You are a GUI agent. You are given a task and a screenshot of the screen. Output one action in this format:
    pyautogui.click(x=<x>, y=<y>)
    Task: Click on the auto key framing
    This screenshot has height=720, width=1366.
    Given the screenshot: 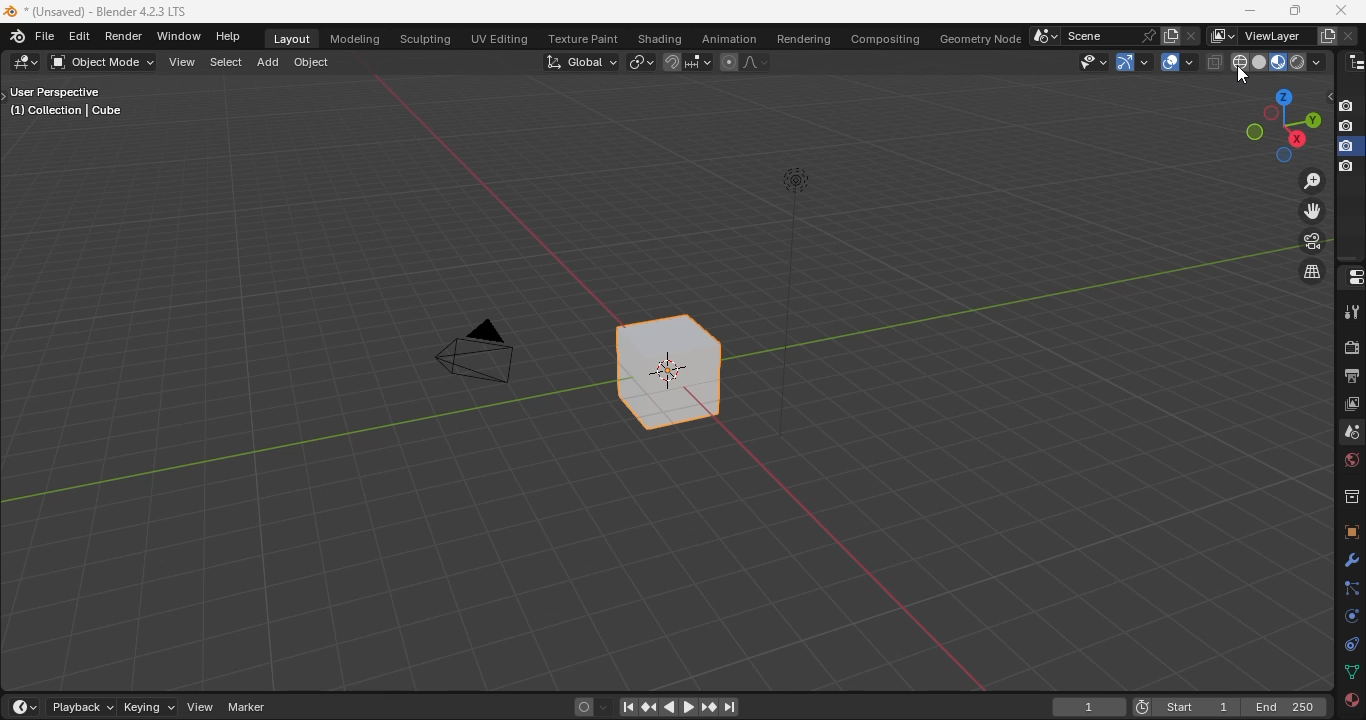 What is the action you would take?
    pyautogui.click(x=607, y=708)
    